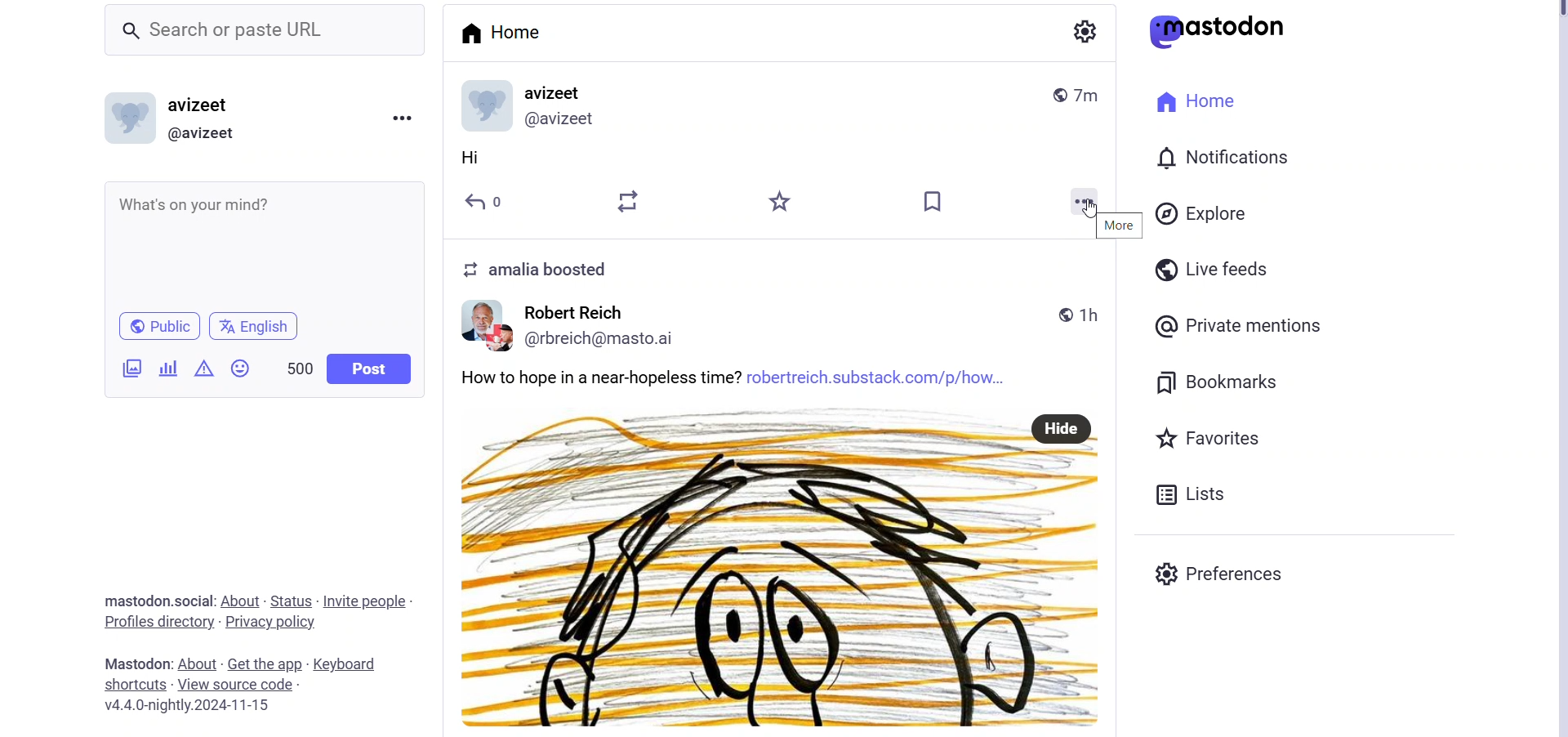 The width and height of the screenshot is (1568, 737). Describe the element at coordinates (558, 271) in the screenshot. I see `Text` at that location.